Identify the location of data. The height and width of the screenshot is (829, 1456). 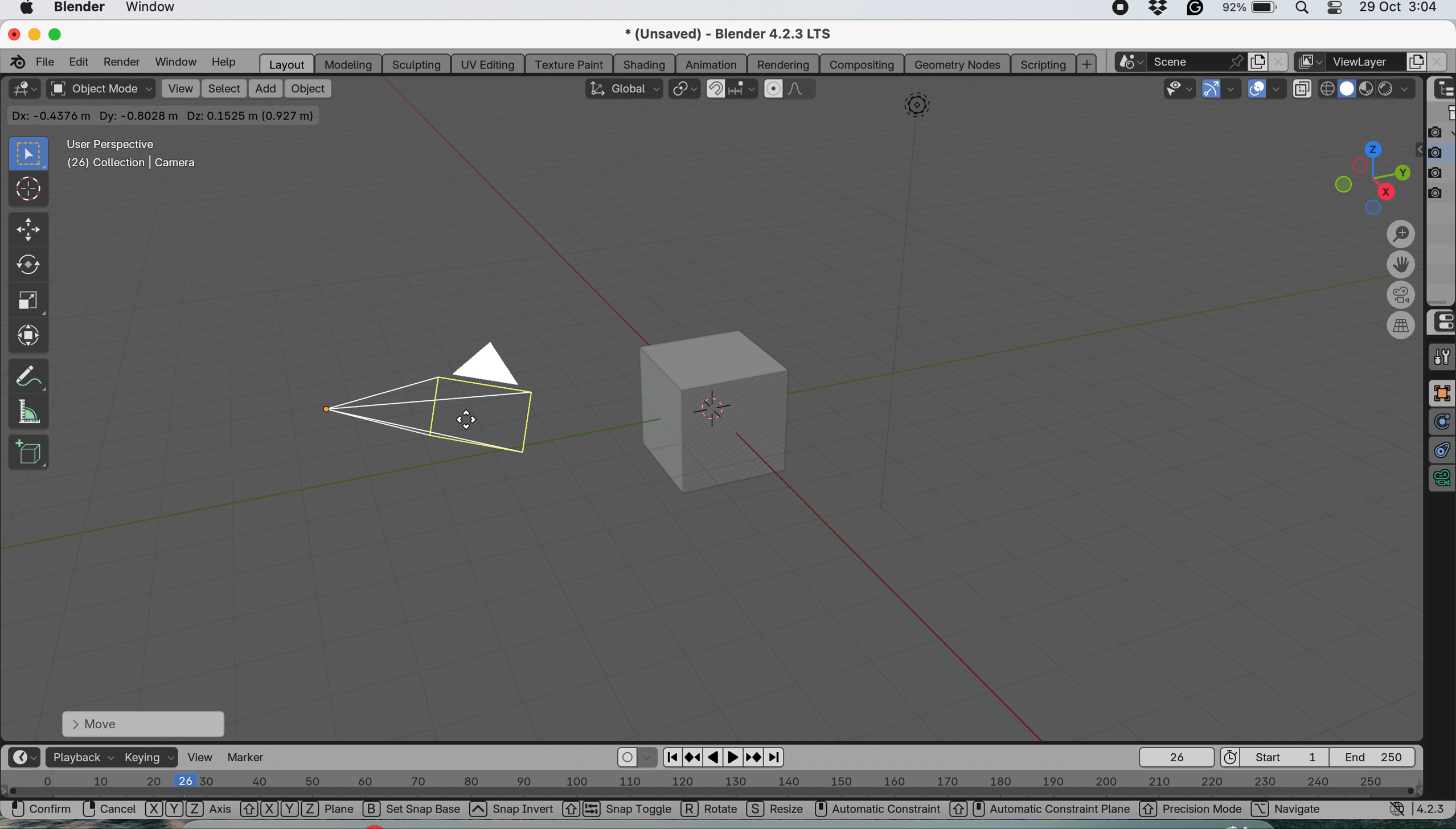
(1441, 481).